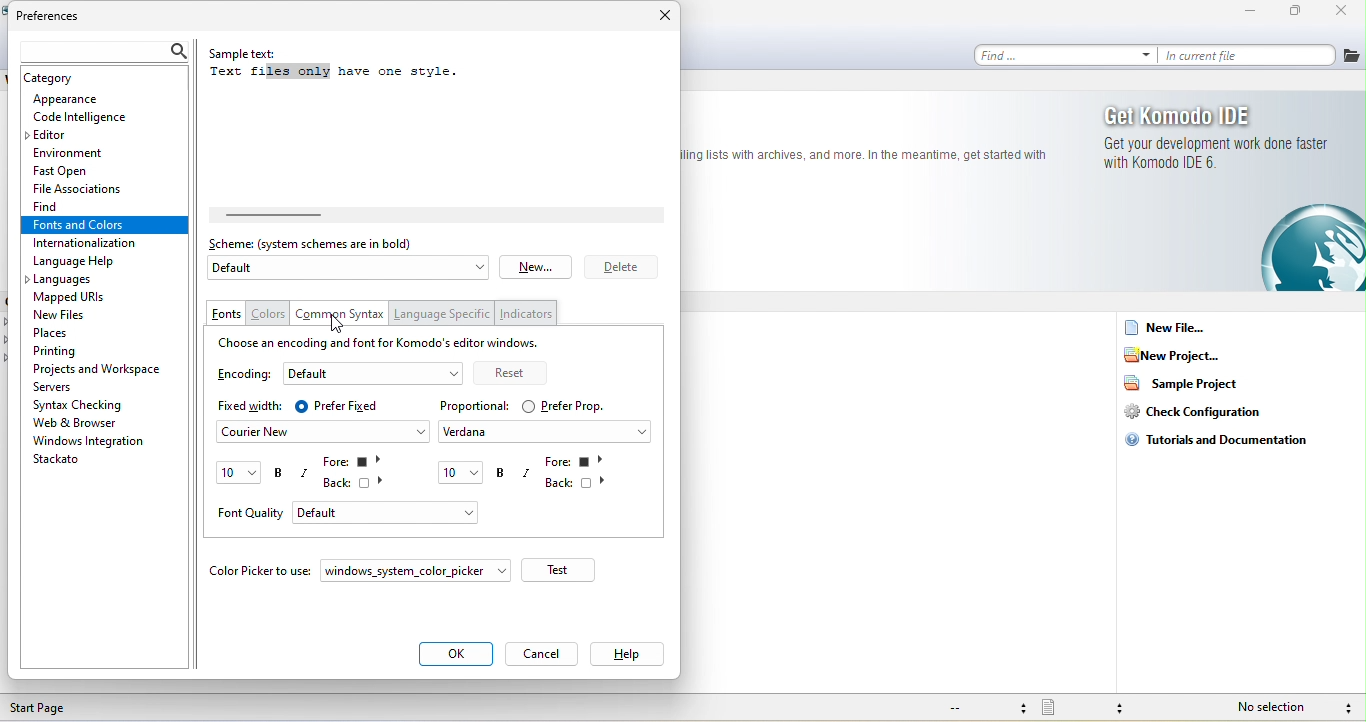 The image size is (1366, 722). I want to click on common syntax, so click(339, 313).